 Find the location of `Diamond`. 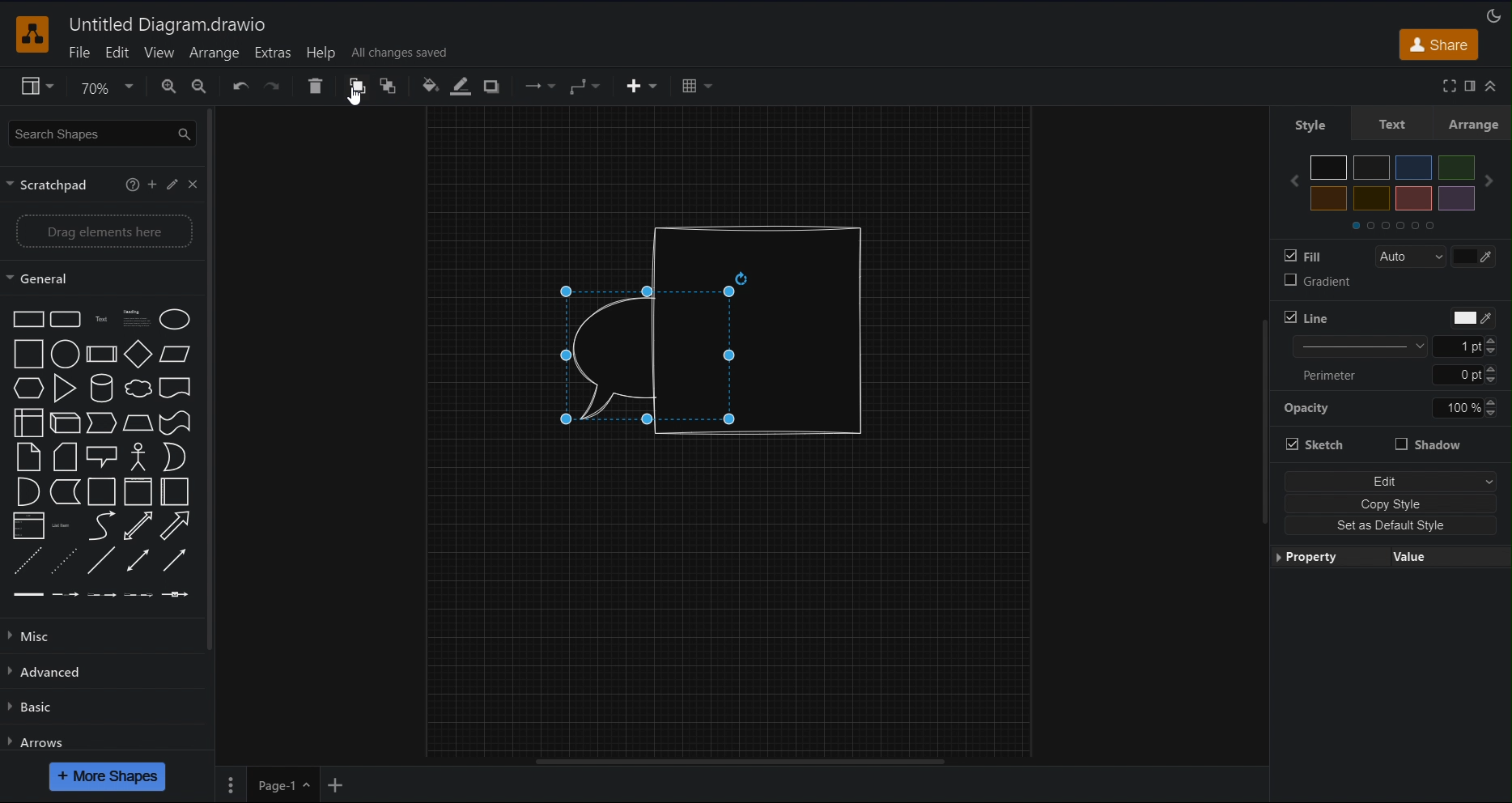

Diamond is located at coordinates (138, 354).